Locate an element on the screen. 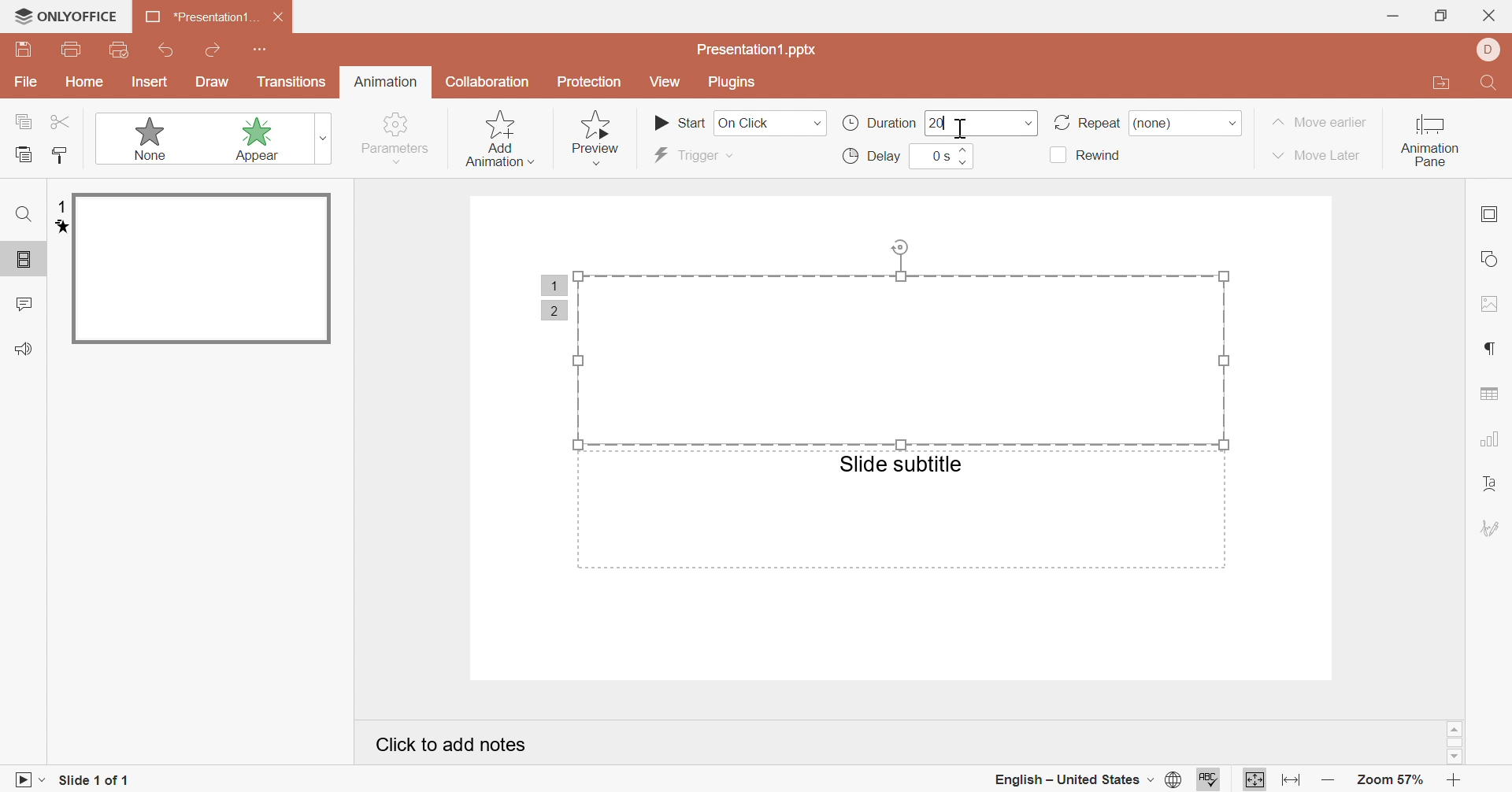  scroll bar is located at coordinates (1455, 744).